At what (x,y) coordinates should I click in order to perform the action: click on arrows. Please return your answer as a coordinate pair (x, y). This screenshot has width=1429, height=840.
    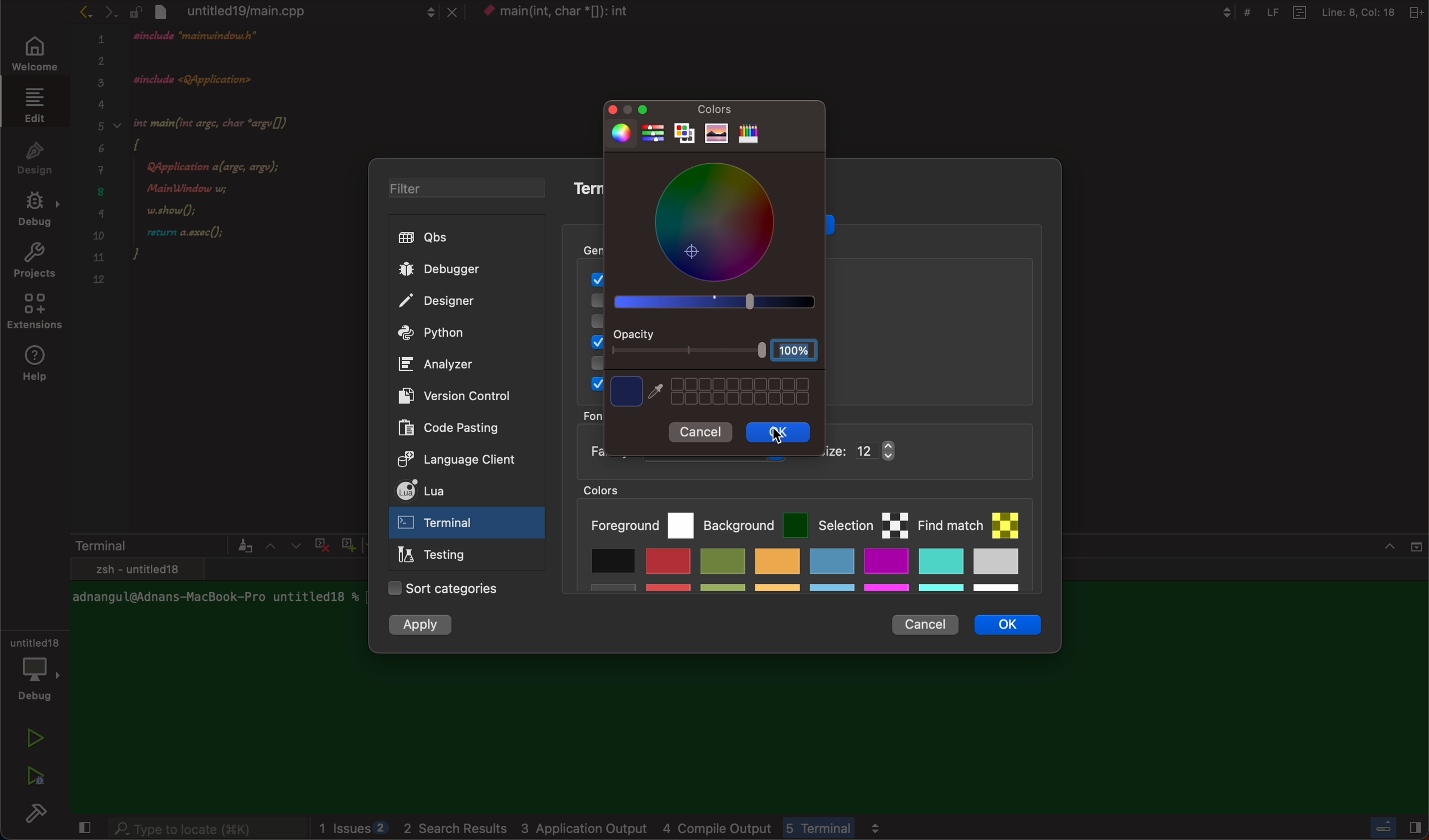
    Looking at the image, I should click on (97, 11).